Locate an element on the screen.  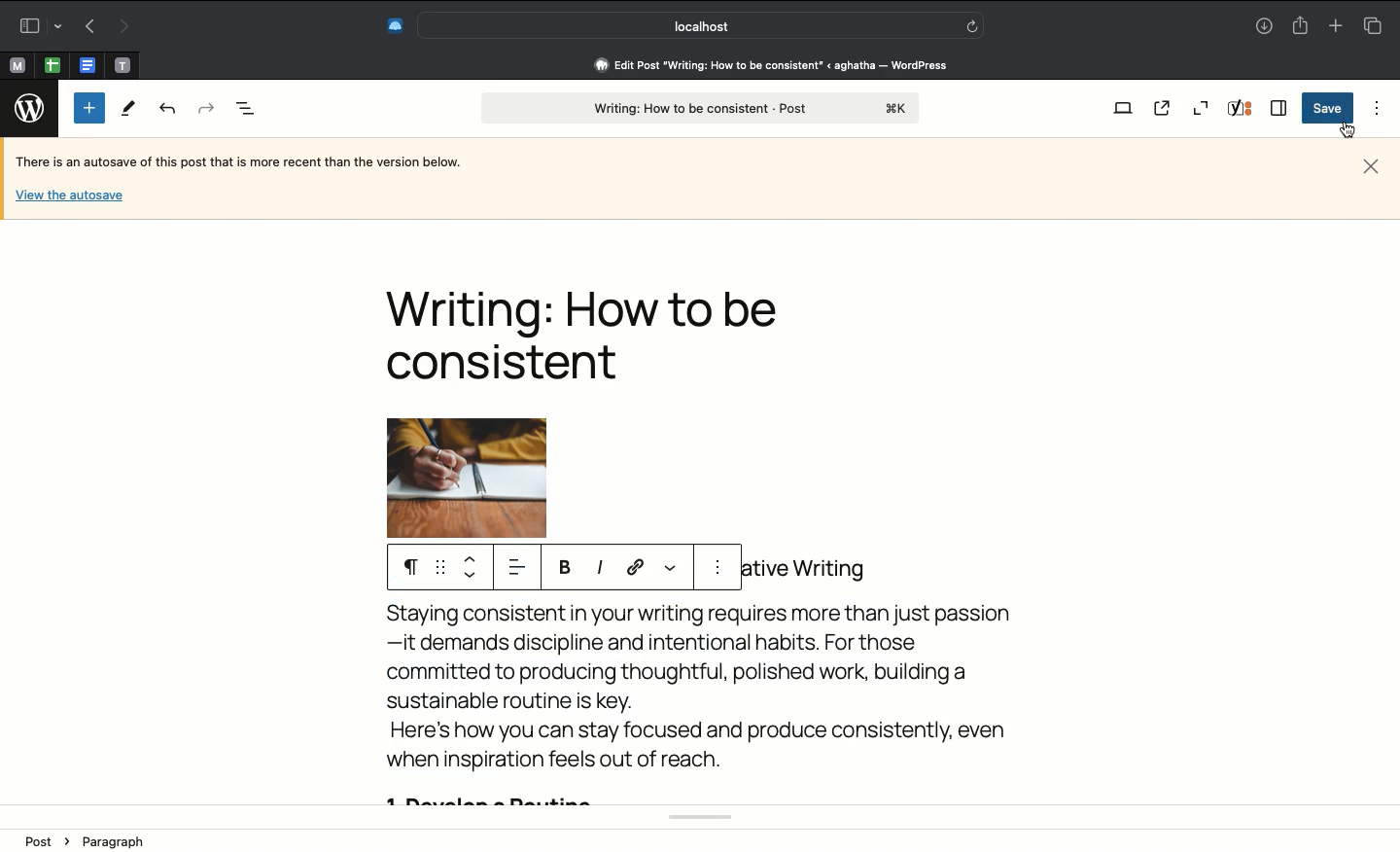
Drag is located at coordinates (439, 568).